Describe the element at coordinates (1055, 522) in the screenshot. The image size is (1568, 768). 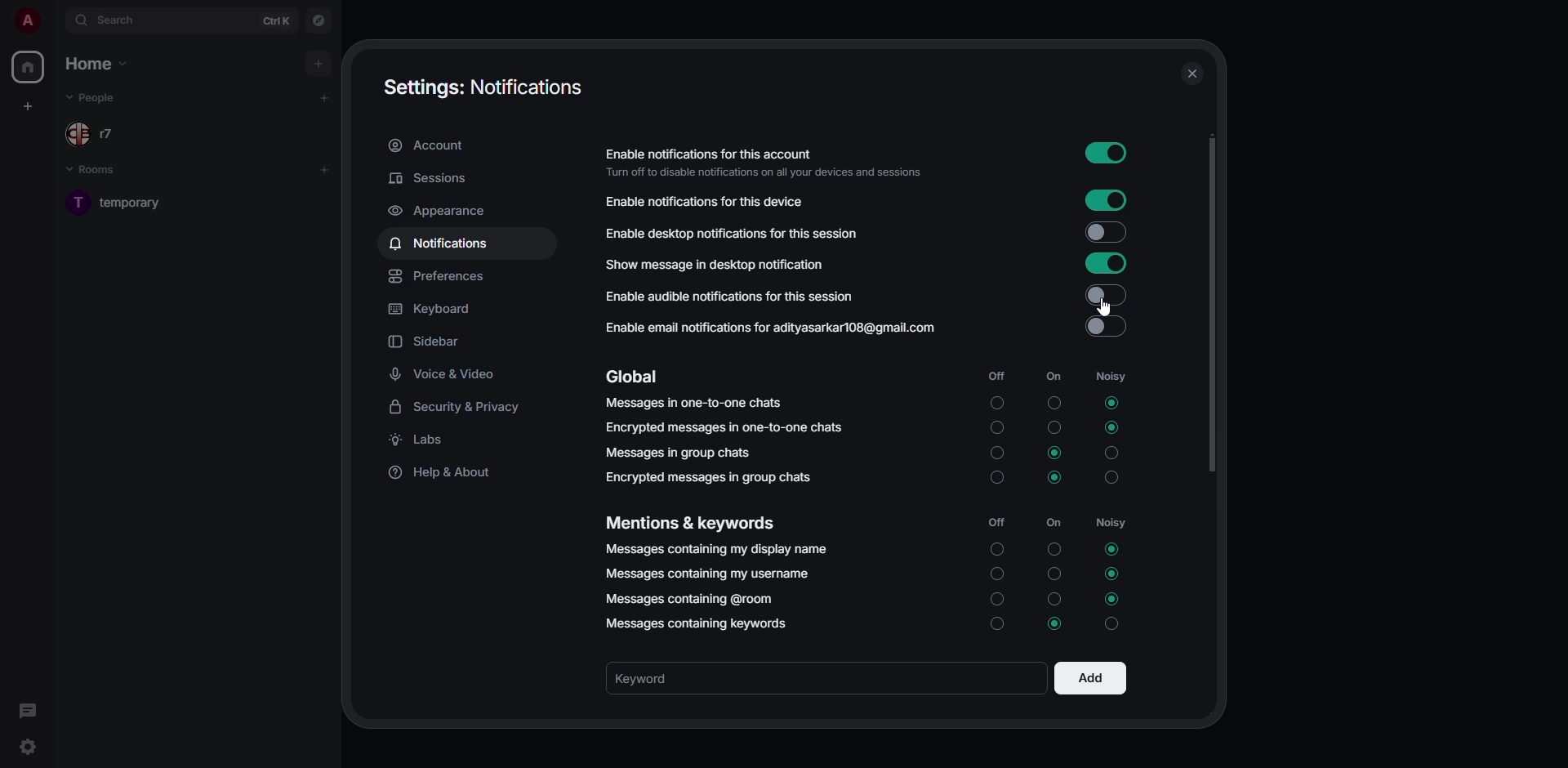
I see `on` at that location.